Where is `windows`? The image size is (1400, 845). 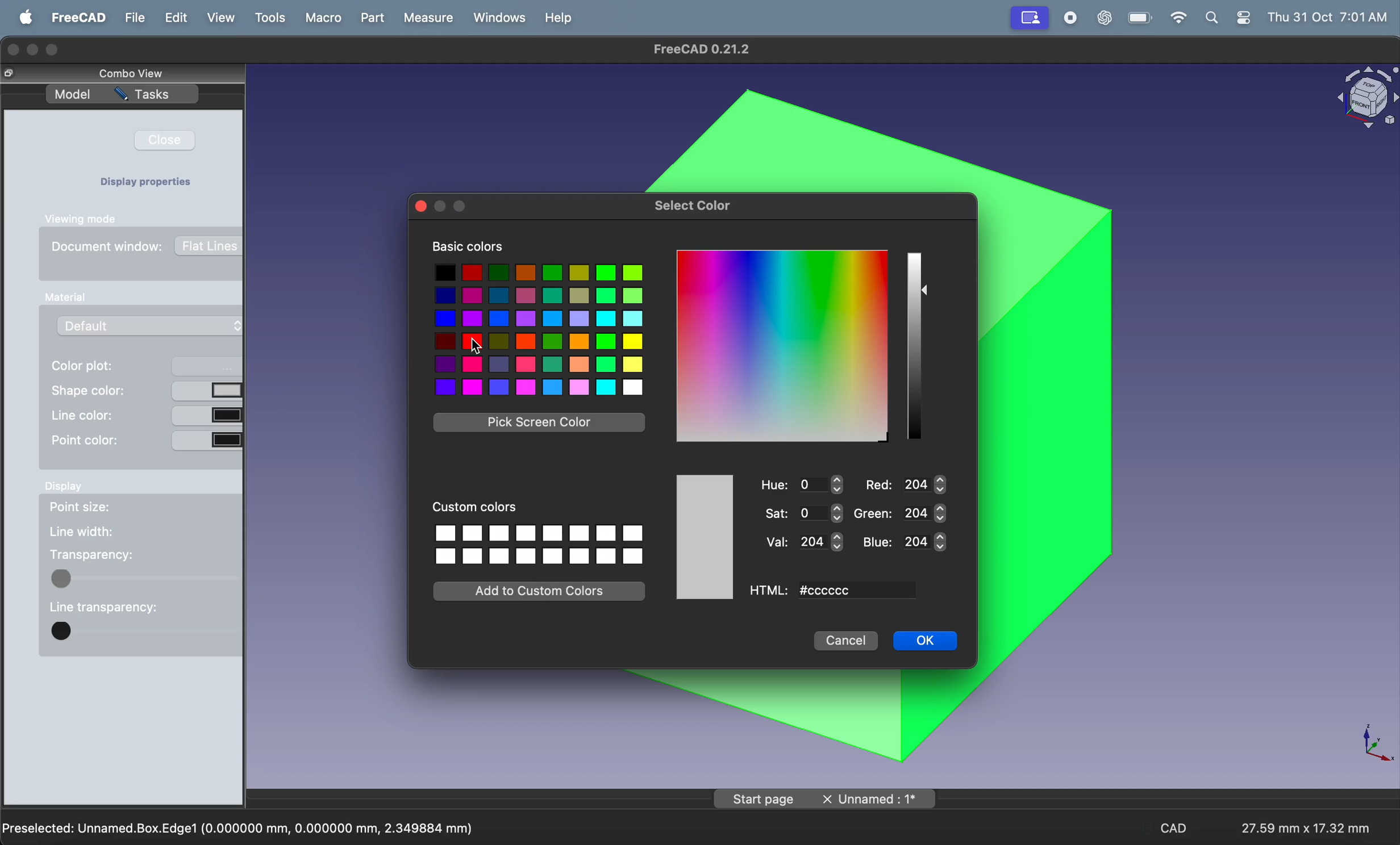
windows is located at coordinates (498, 18).